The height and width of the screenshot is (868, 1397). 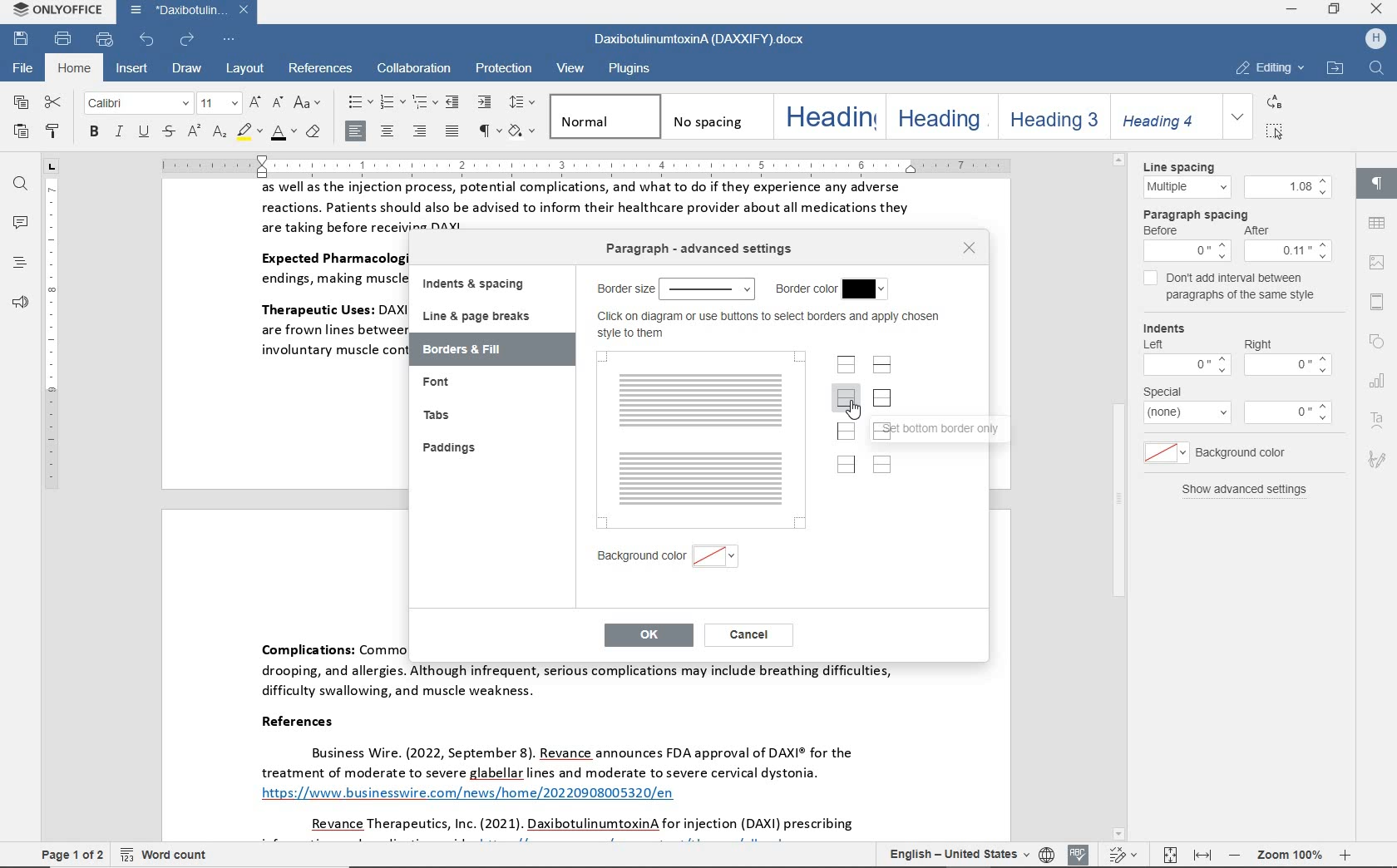 What do you see at coordinates (72, 853) in the screenshot?
I see `page 1 of 2` at bounding box center [72, 853].